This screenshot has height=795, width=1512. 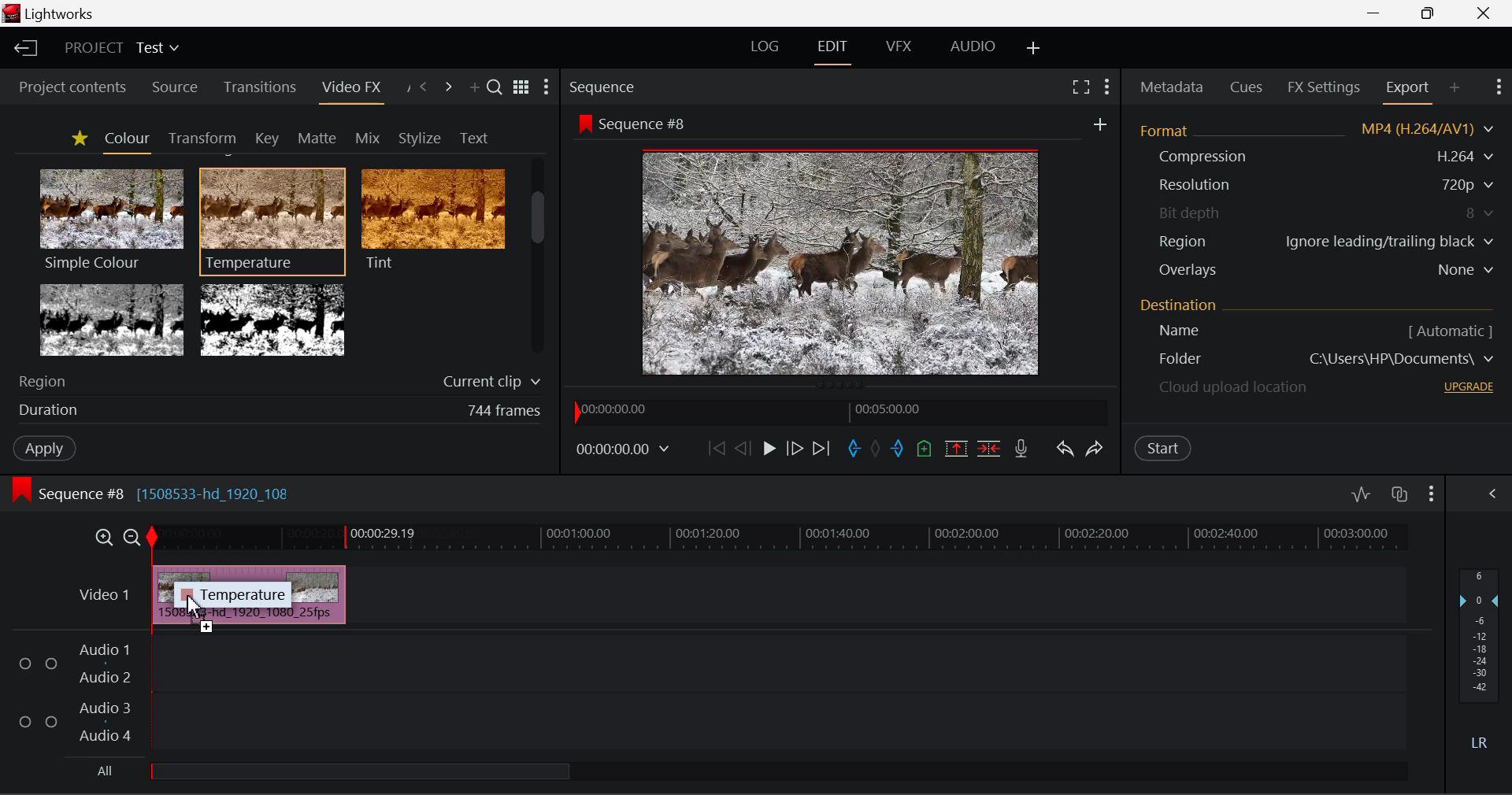 What do you see at coordinates (973, 46) in the screenshot?
I see `AUDIO Layout` at bounding box center [973, 46].